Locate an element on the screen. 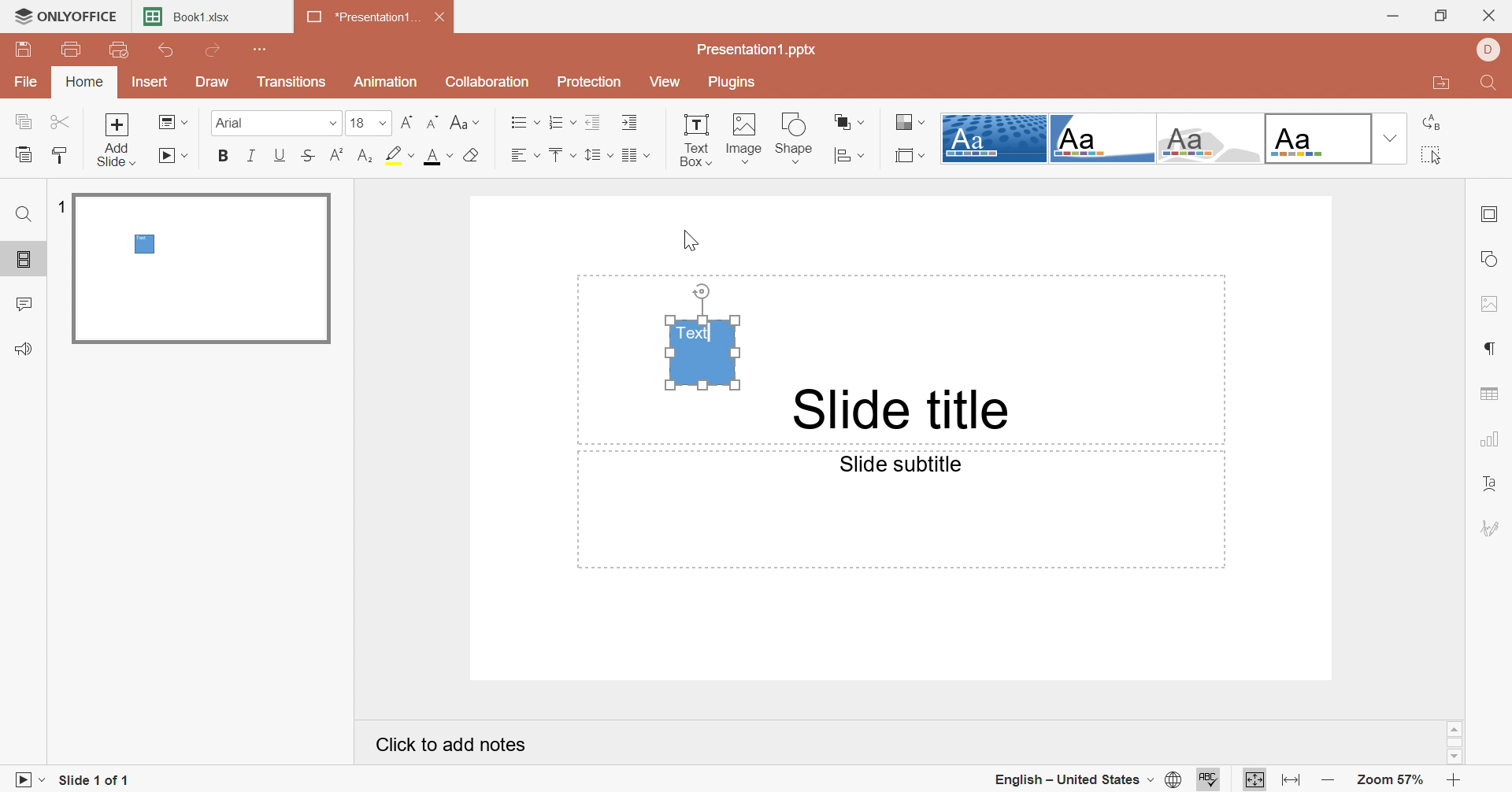  Drop Down is located at coordinates (381, 124).